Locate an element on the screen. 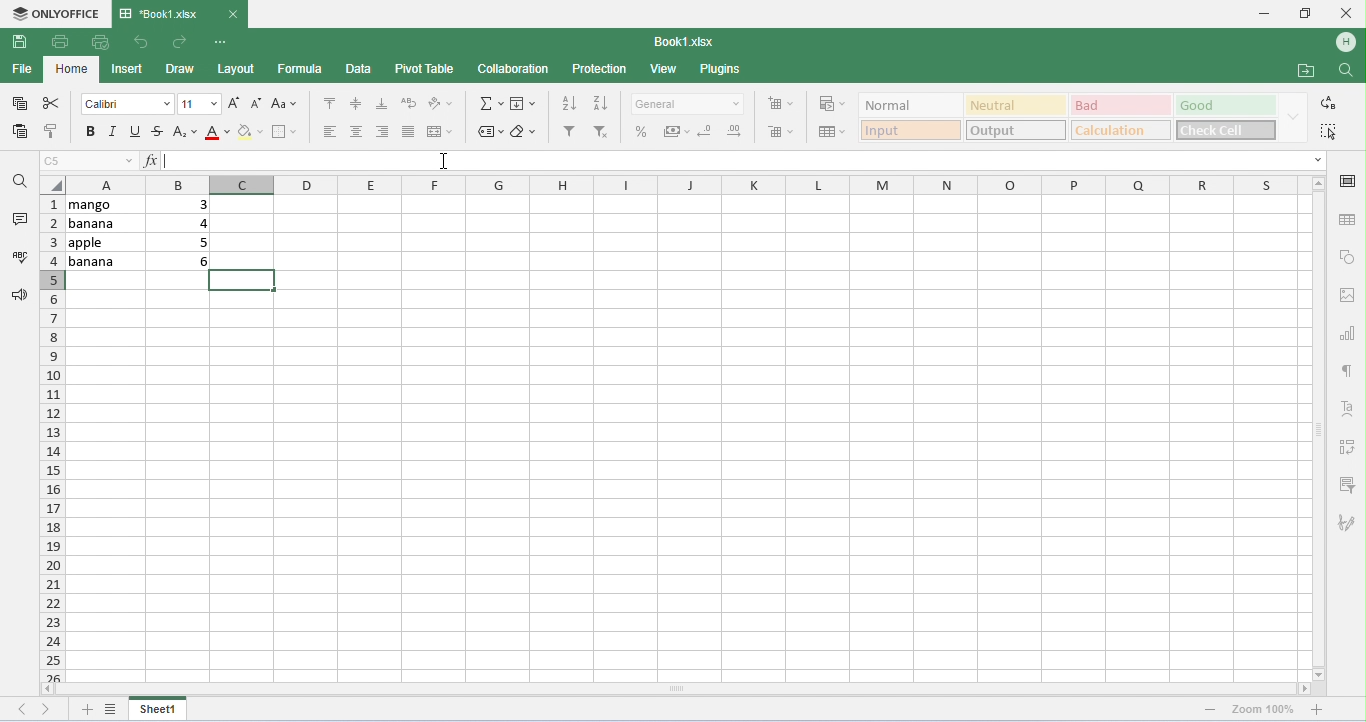  find is located at coordinates (19, 180).